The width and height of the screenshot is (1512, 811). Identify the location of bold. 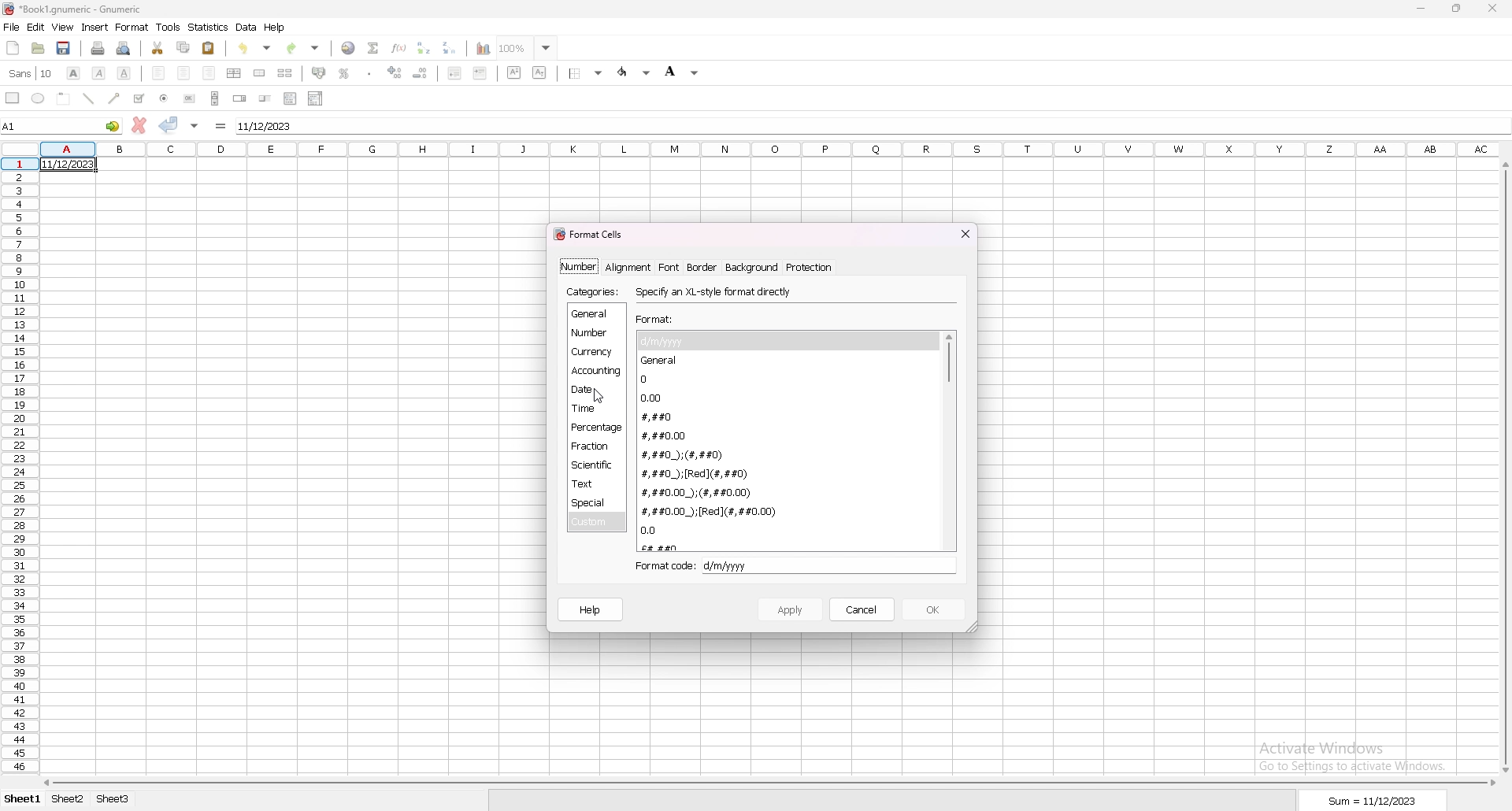
(74, 72).